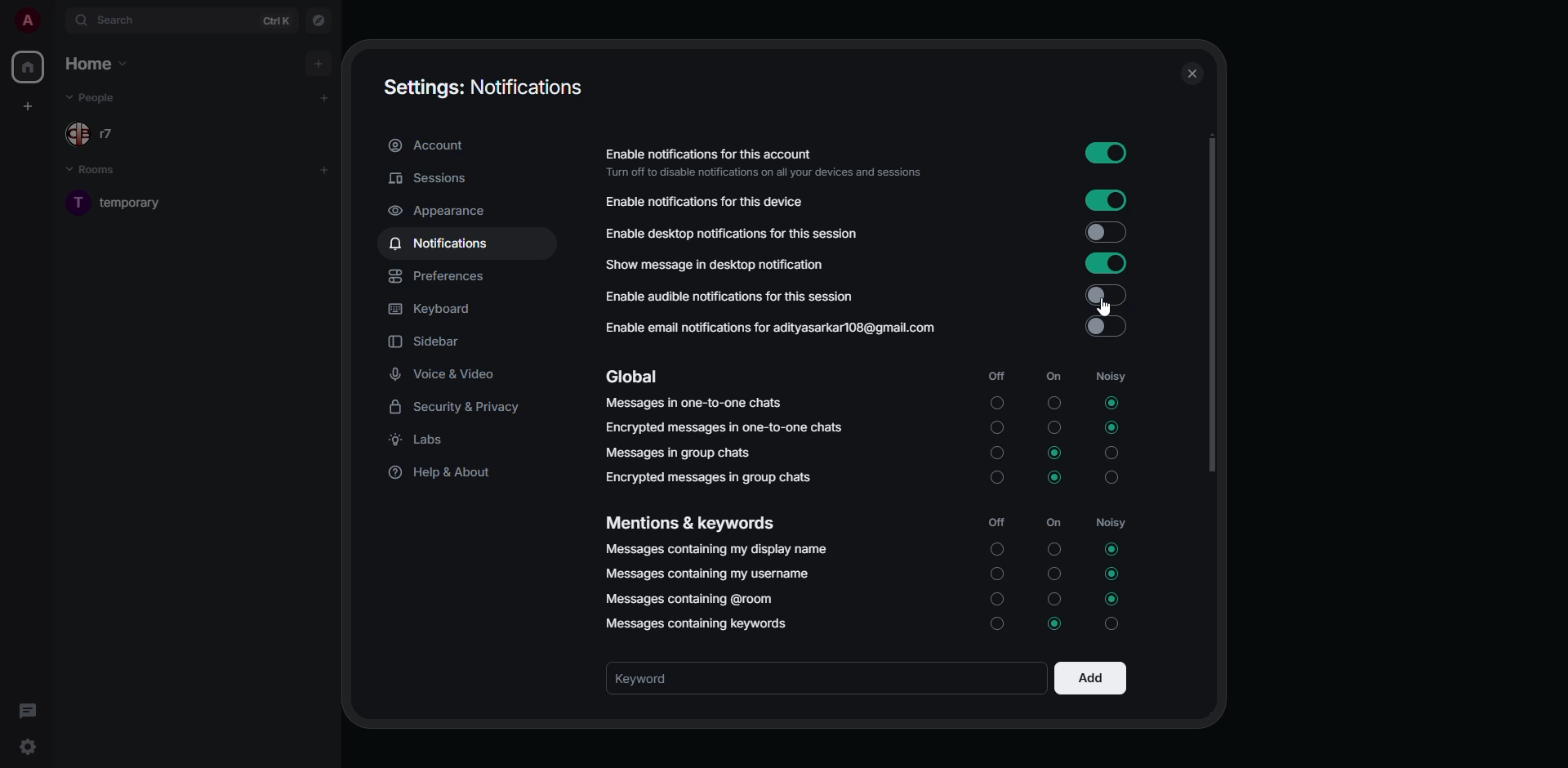 The image size is (1568, 768). What do you see at coordinates (430, 179) in the screenshot?
I see `sessions` at bounding box center [430, 179].